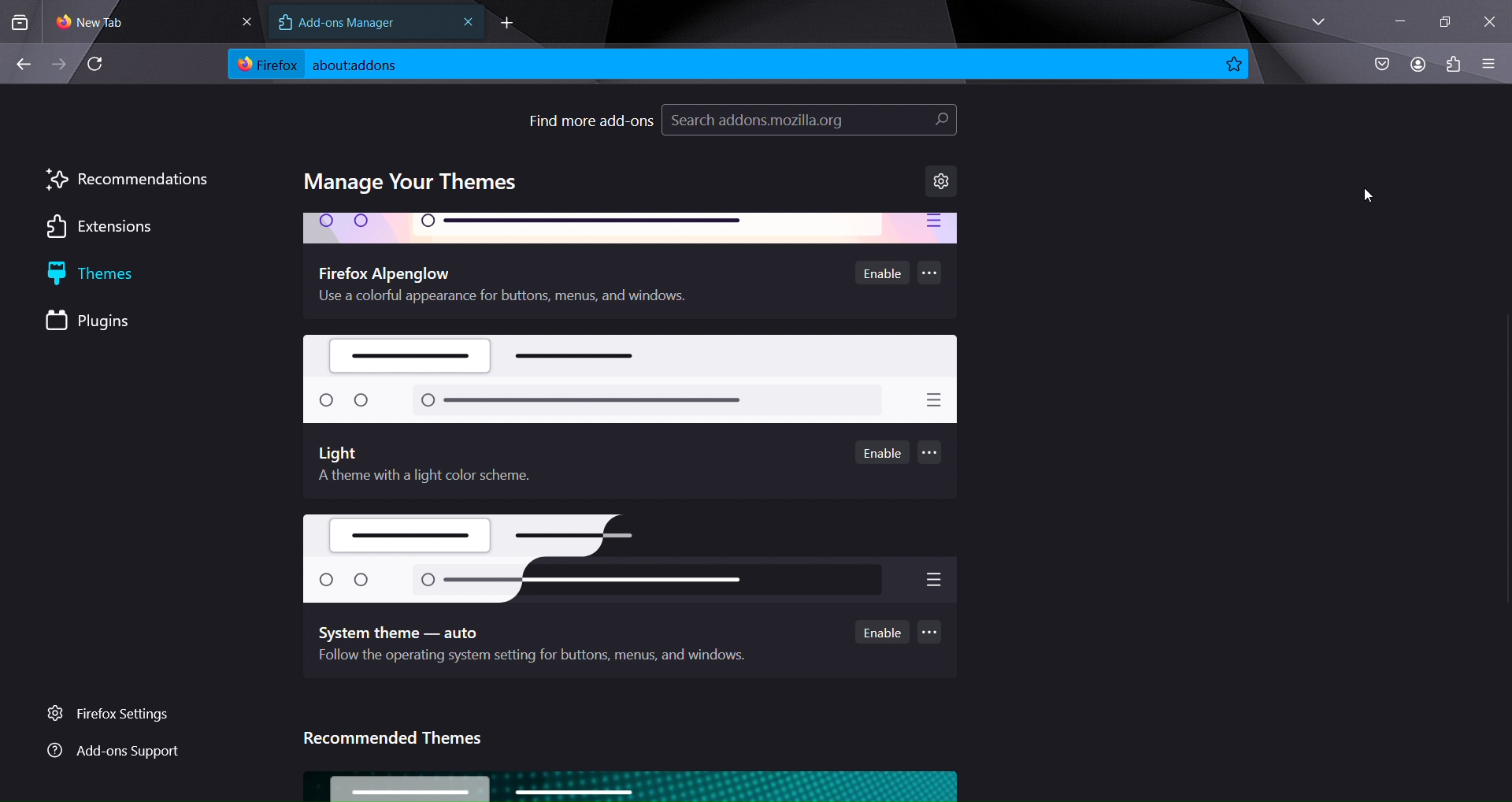 The width and height of the screenshot is (1512, 802). What do you see at coordinates (112, 275) in the screenshot?
I see `themes` at bounding box center [112, 275].